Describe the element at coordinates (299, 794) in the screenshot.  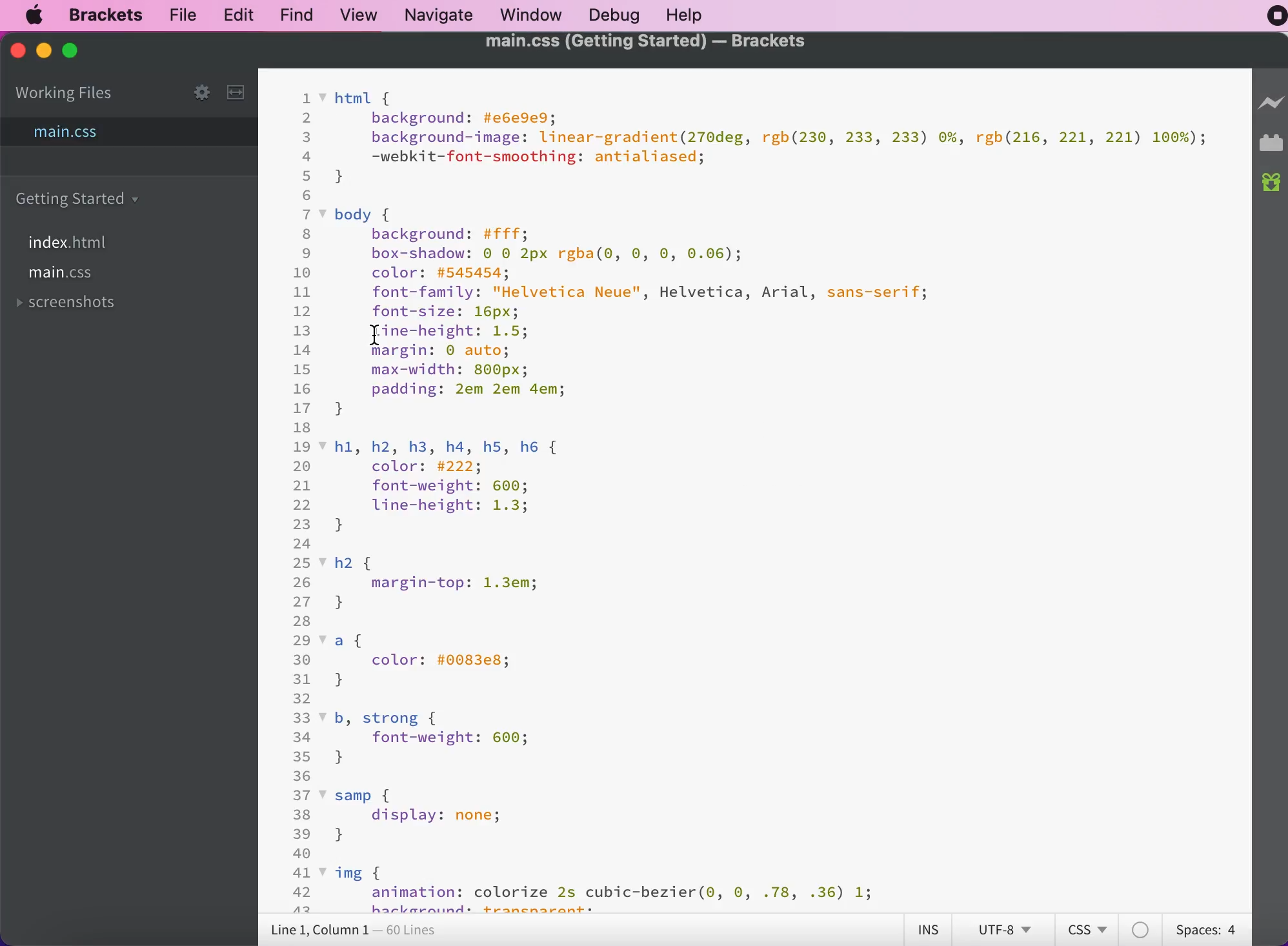
I see `37` at that location.